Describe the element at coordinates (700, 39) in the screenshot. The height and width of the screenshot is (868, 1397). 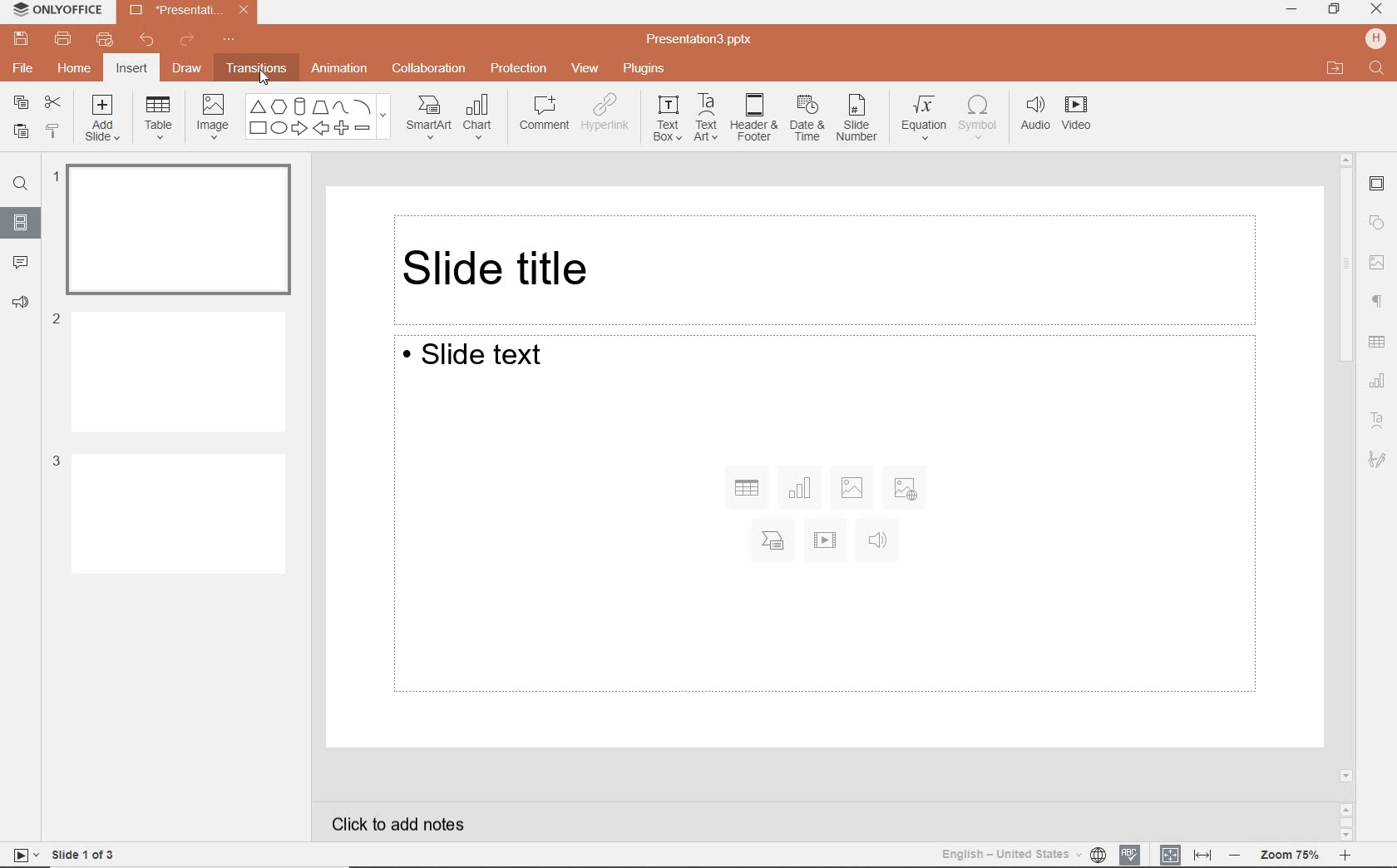
I see `Presentation3.pptx` at that location.